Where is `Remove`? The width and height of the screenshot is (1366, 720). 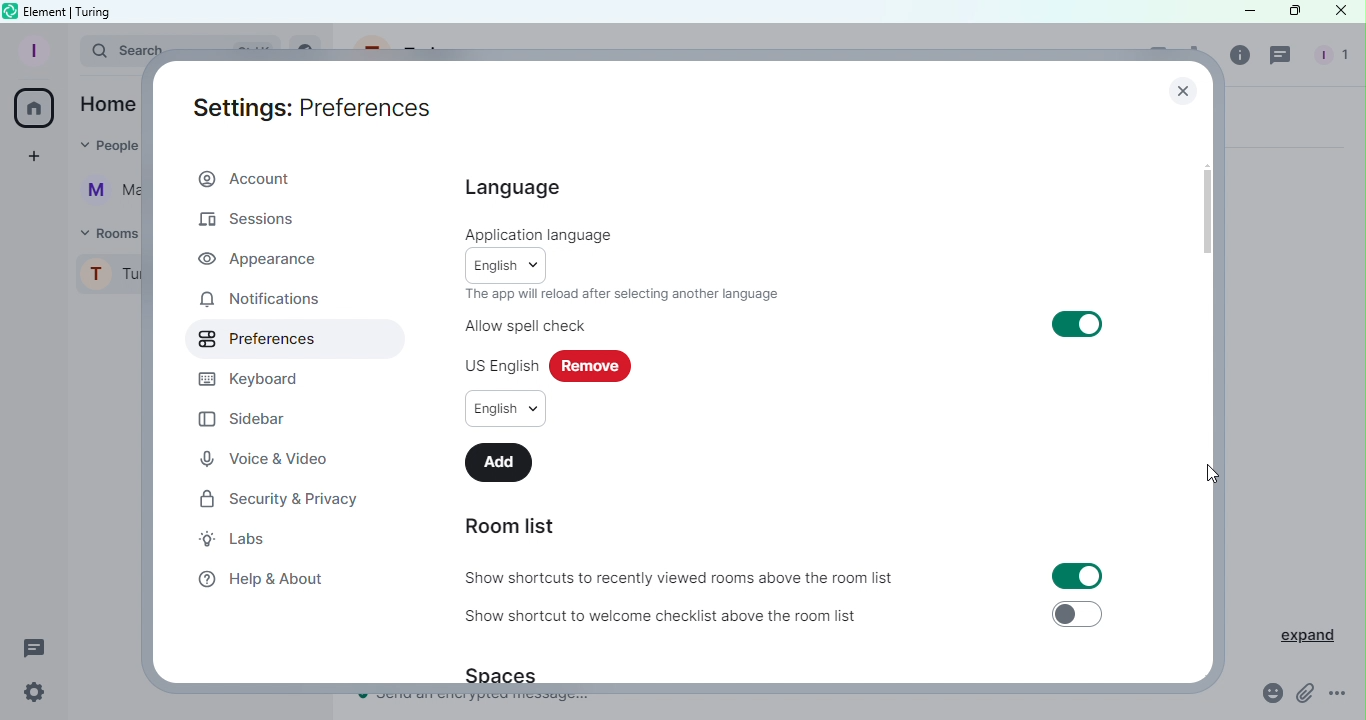 Remove is located at coordinates (592, 367).